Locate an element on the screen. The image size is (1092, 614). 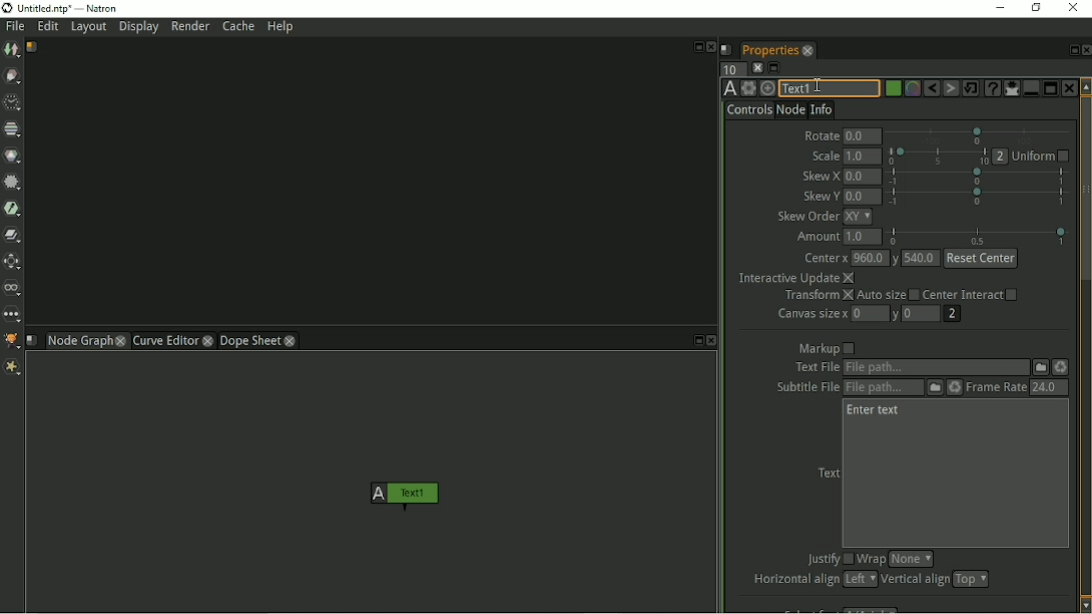
selection bar is located at coordinates (979, 135).